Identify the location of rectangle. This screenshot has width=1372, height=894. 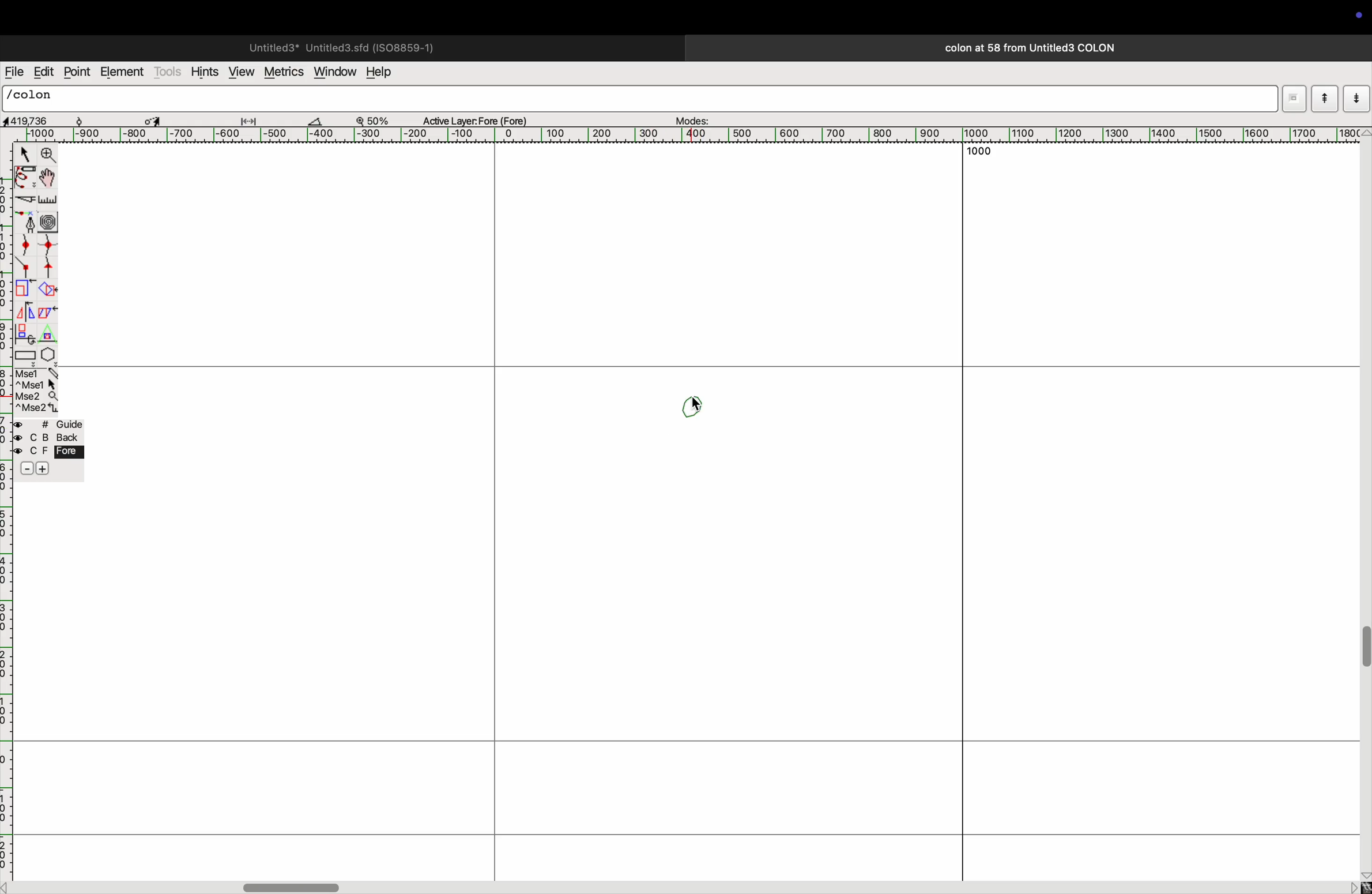
(25, 354).